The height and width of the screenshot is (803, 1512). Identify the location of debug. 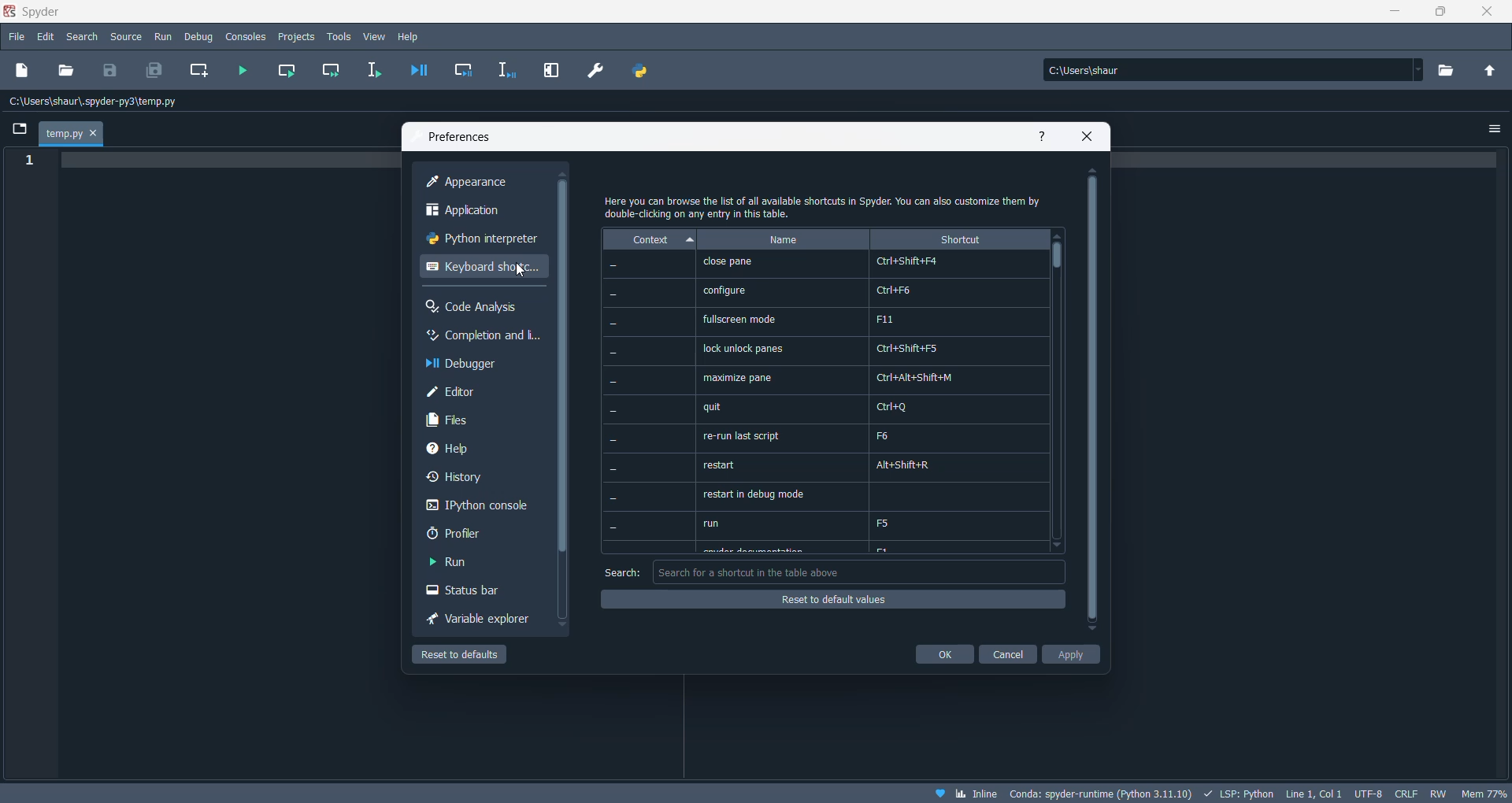
(200, 37).